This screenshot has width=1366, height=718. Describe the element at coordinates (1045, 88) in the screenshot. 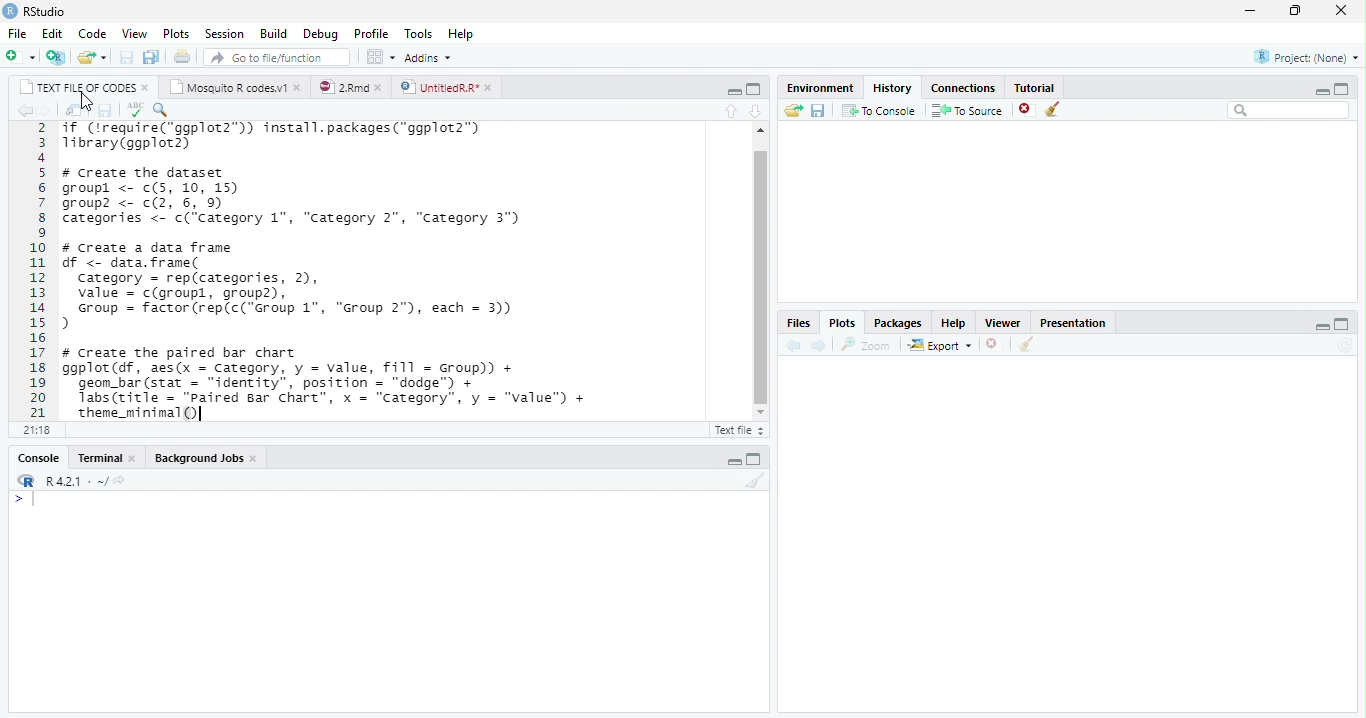

I see `tutorial` at that location.